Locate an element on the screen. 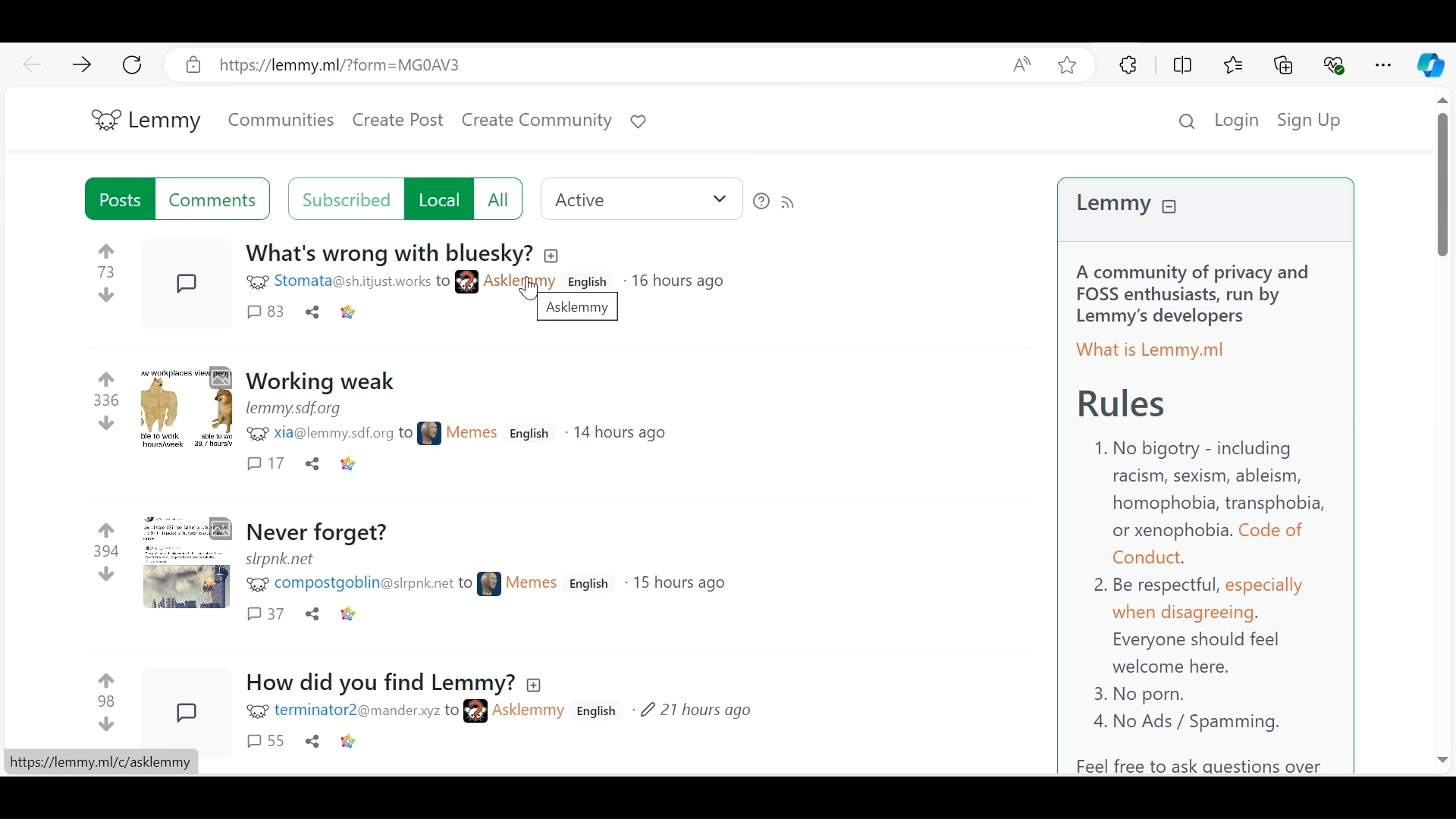 Image resolution: width=1456 pixels, height=819 pixels. Create Post is located at coordinates (398, 122).